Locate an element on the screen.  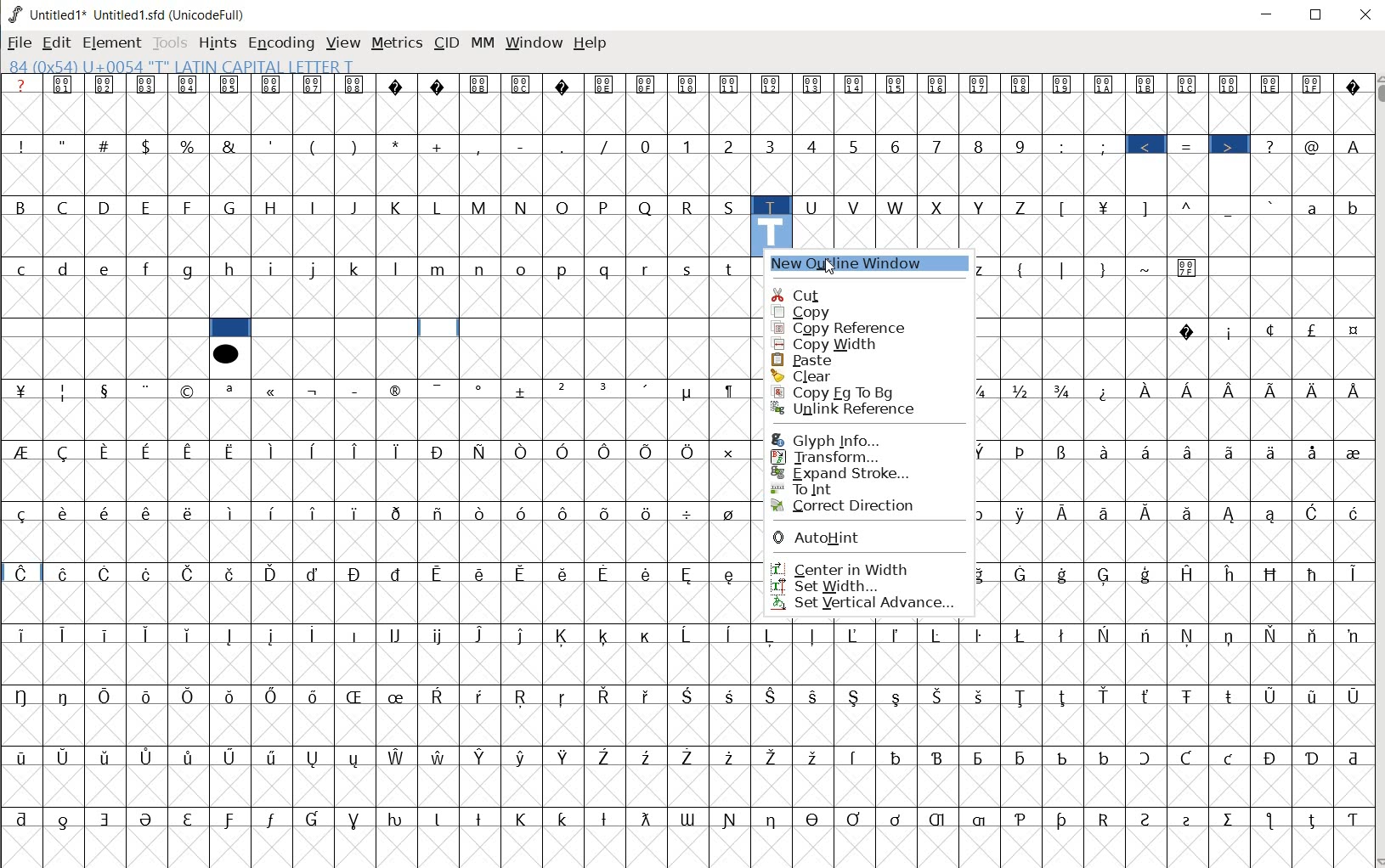
Symbol is located at coordinates (524, 635).